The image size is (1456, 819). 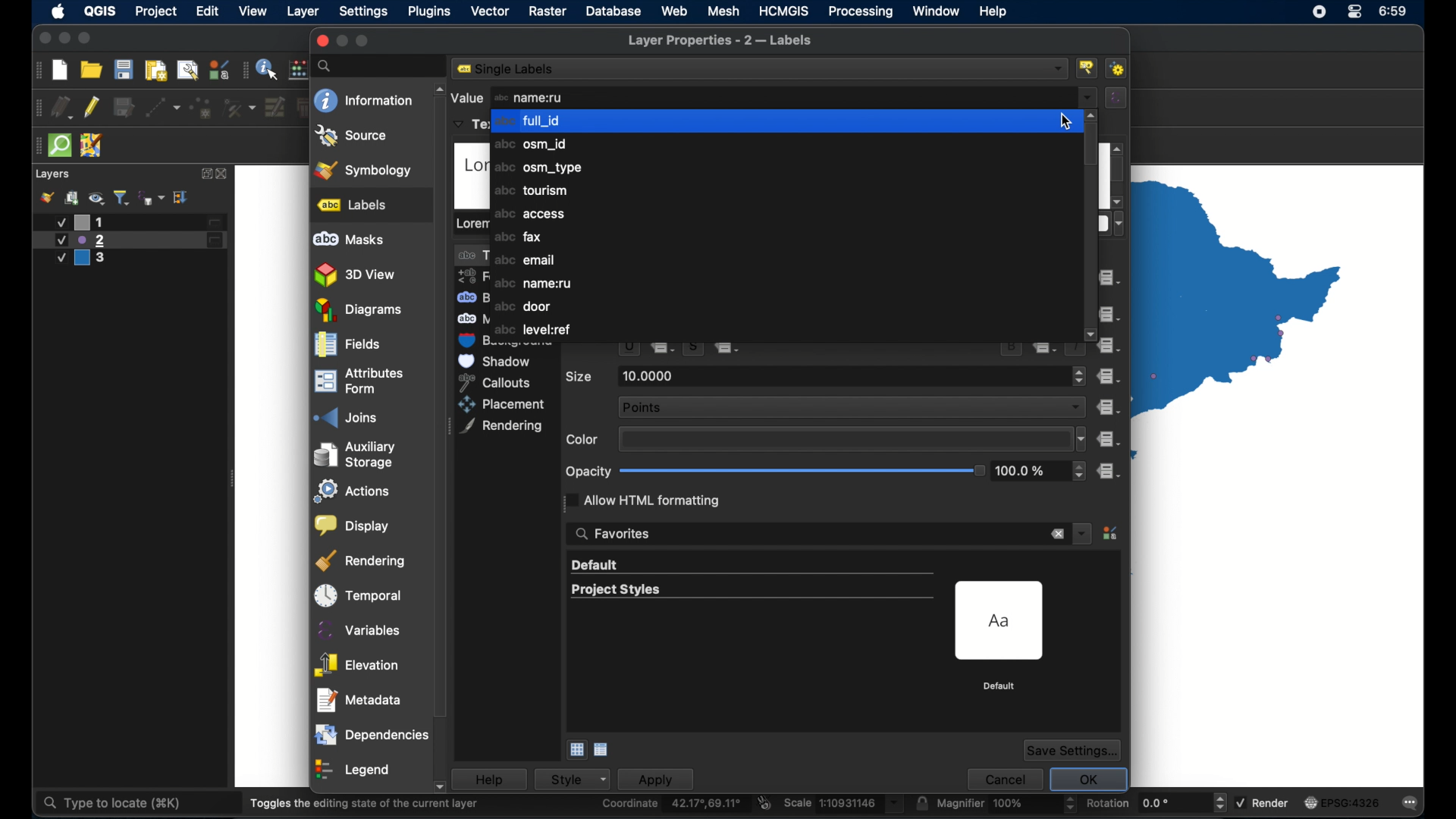 I want to click on cursor, so click(x=1065, y=123).